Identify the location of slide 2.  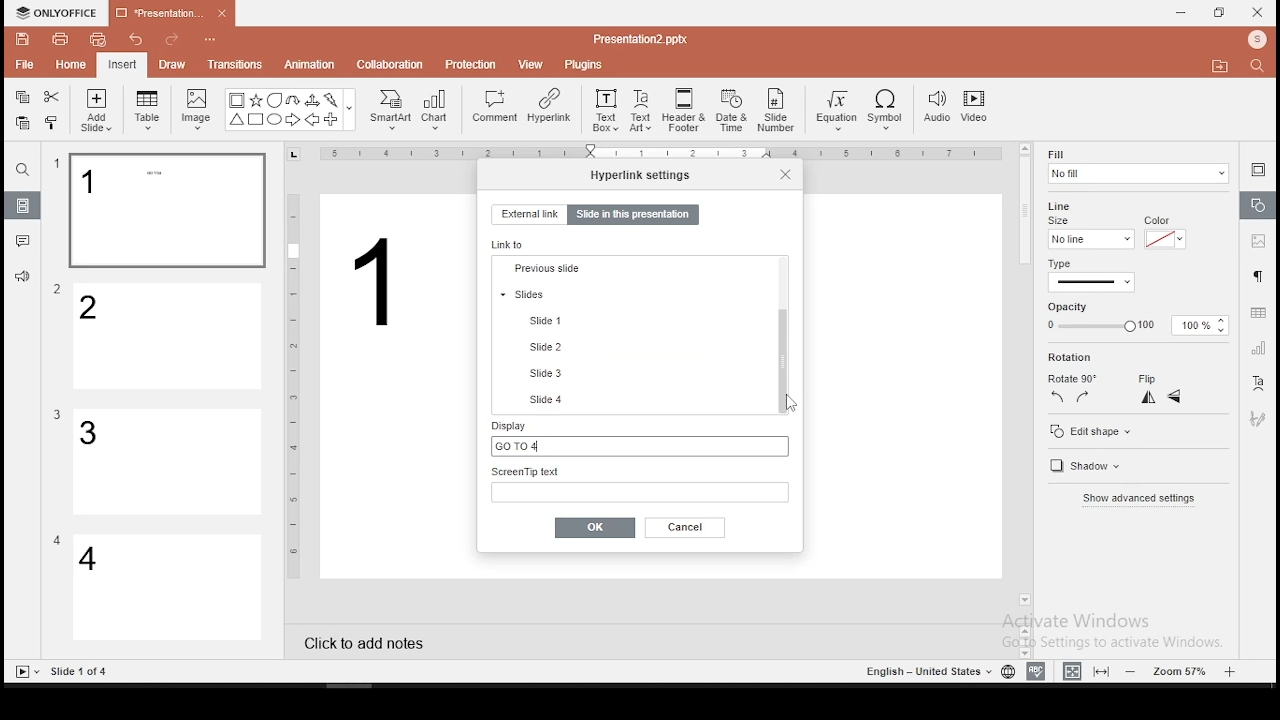
(169, 337).